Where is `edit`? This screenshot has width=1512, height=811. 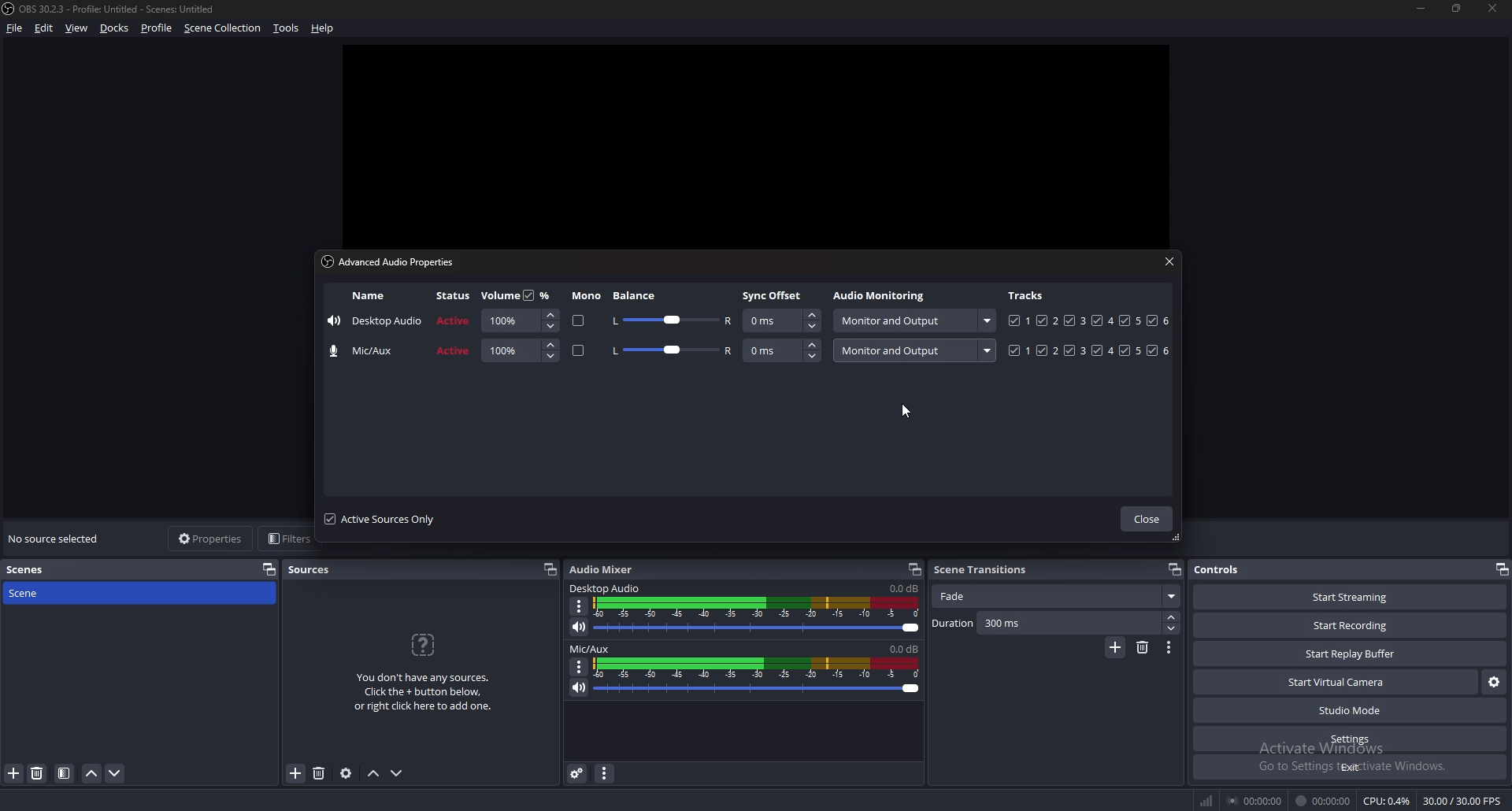 edit is located at coordinates (46, 28).